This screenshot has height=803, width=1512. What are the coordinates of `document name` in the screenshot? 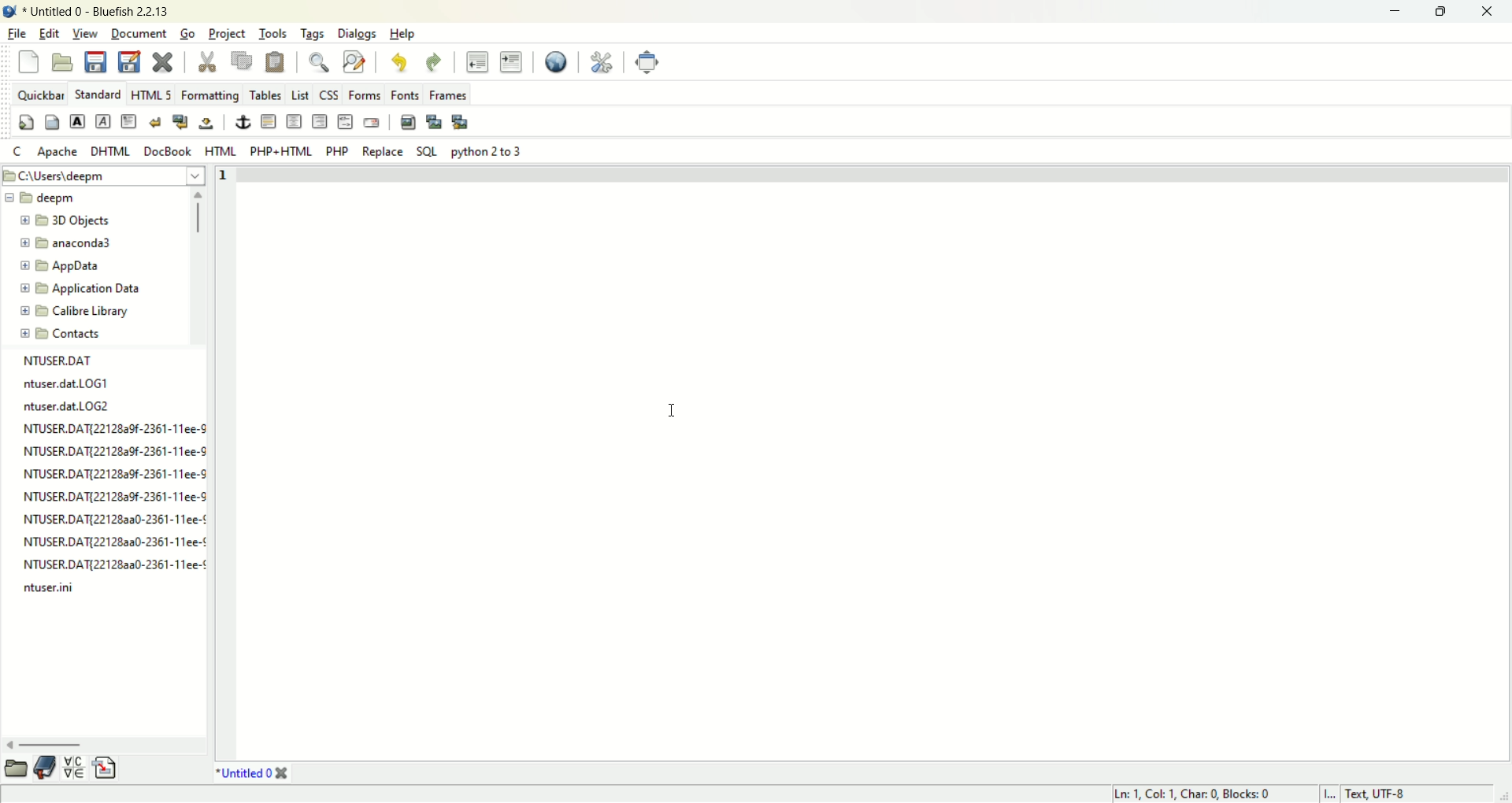 It's located at (120, 12).